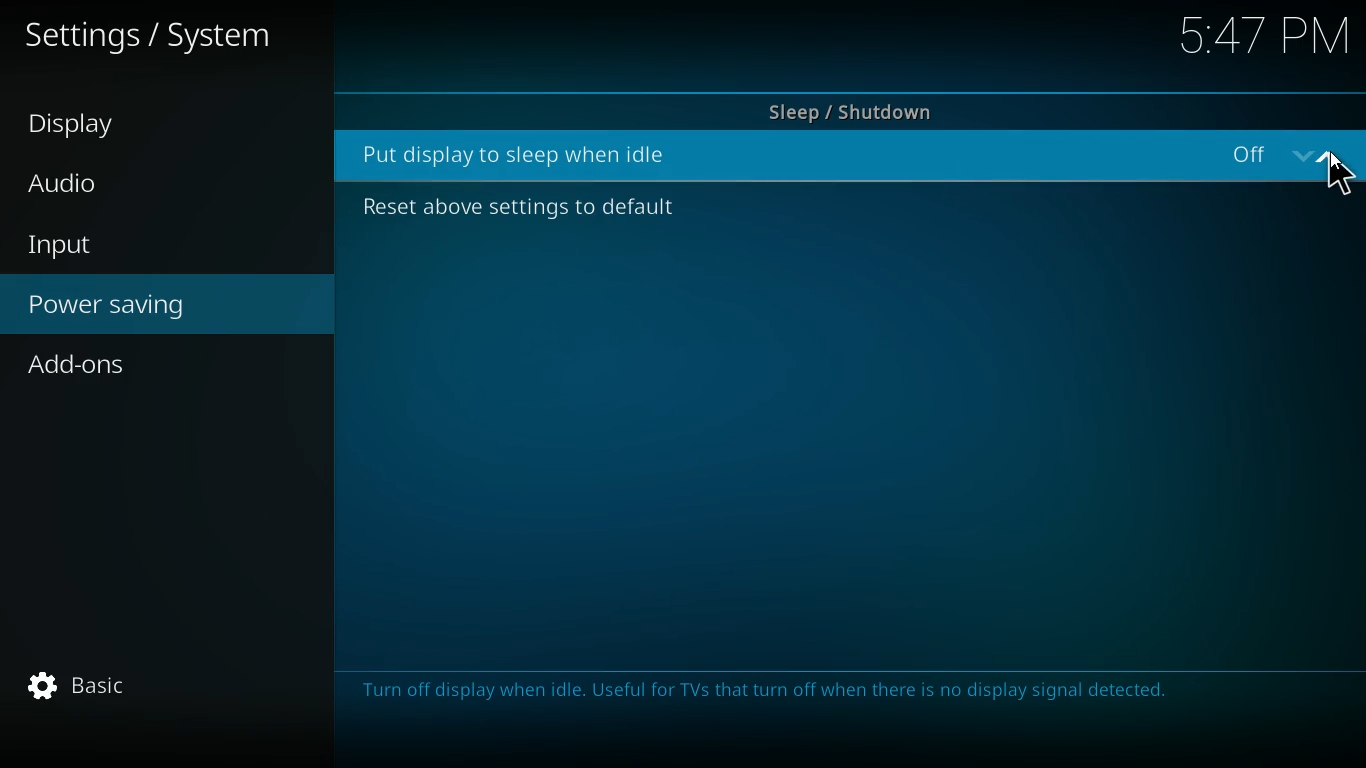  I want to click on basic, so click(77, 684).